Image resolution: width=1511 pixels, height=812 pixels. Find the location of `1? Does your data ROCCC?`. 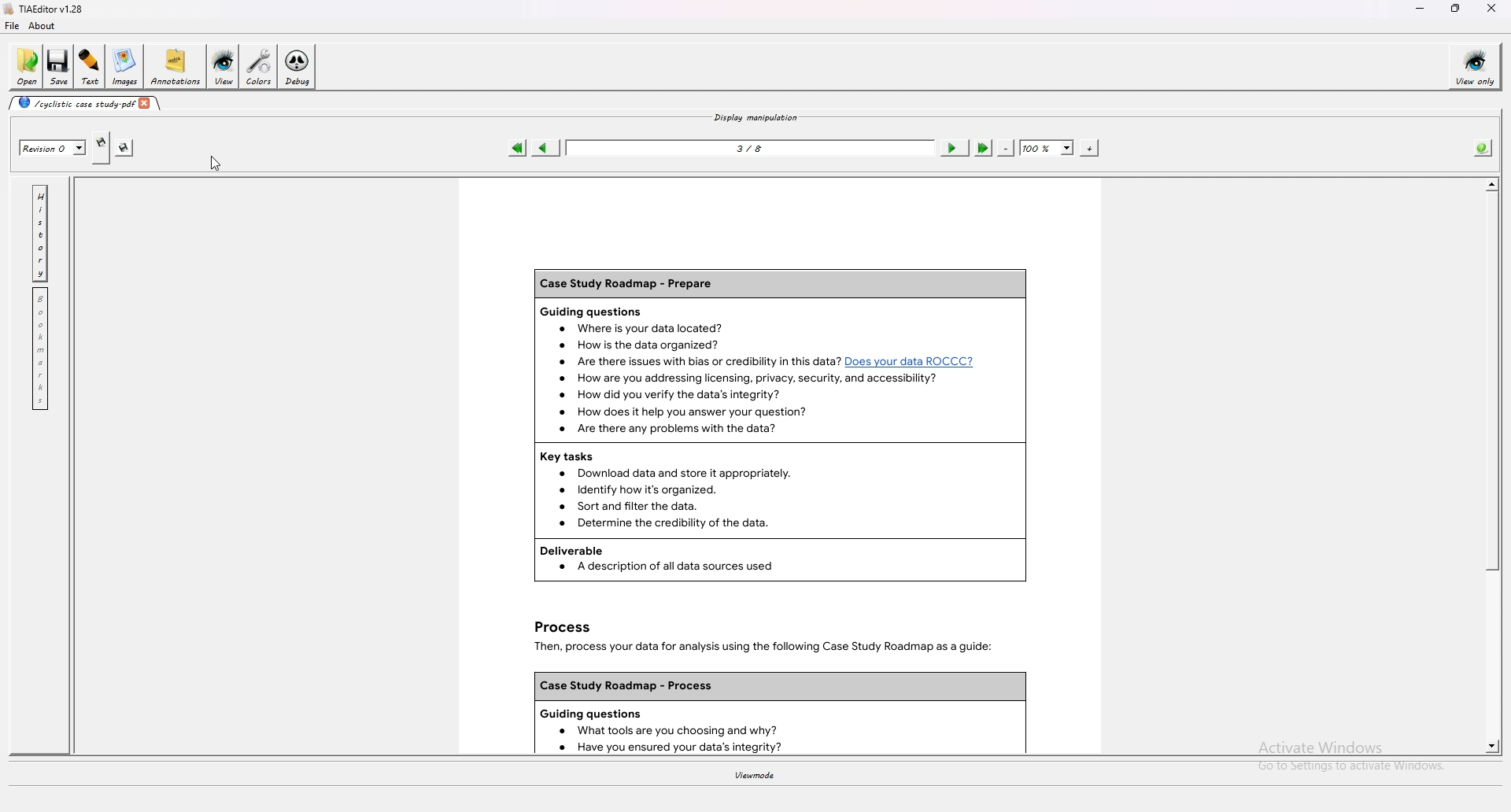

1? Does your data ROCCC? is located at coordinates (914, 361).